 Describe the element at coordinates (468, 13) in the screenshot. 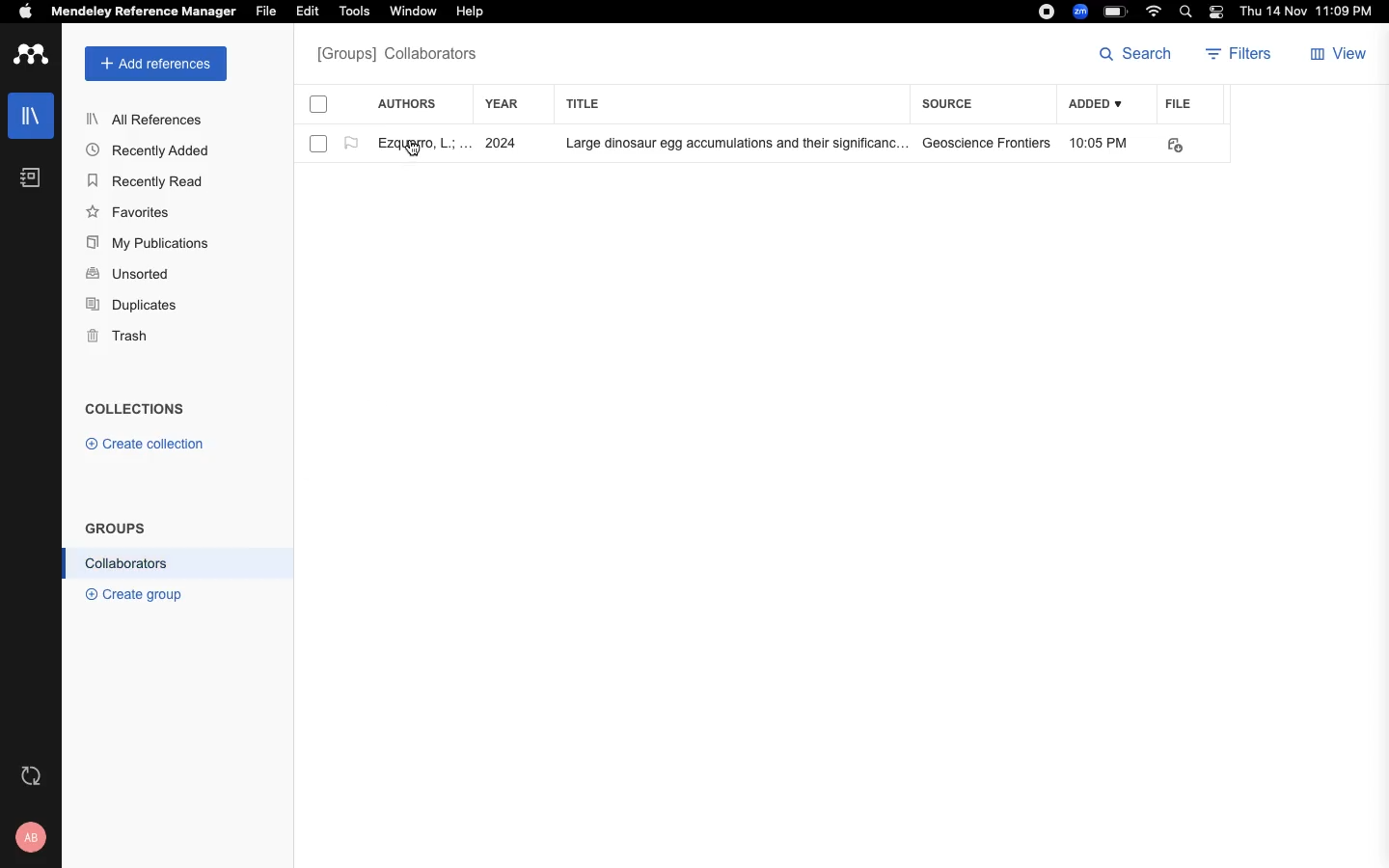

I see `Help` at that location.